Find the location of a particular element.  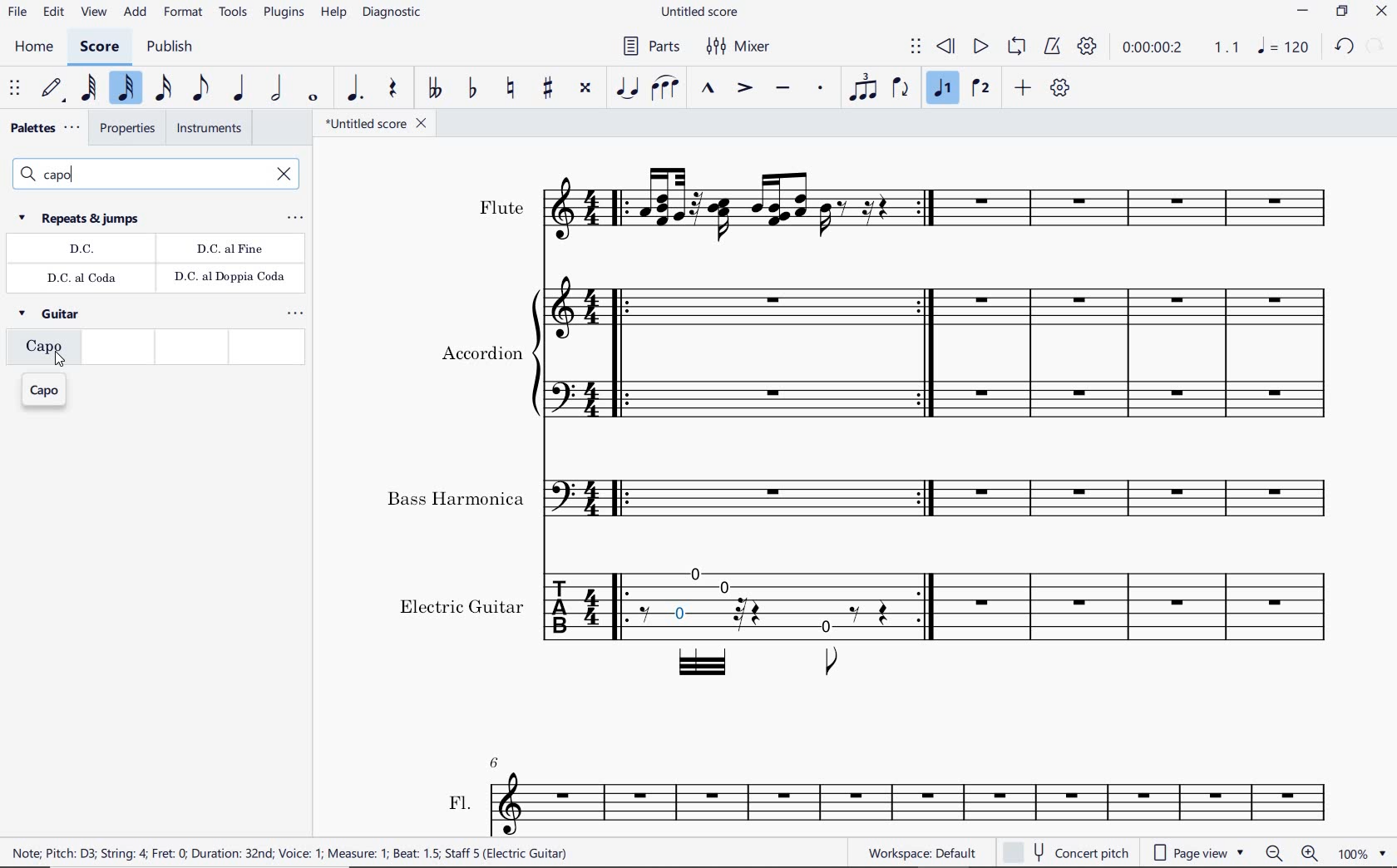

tools is located at coordinates (233, 17).